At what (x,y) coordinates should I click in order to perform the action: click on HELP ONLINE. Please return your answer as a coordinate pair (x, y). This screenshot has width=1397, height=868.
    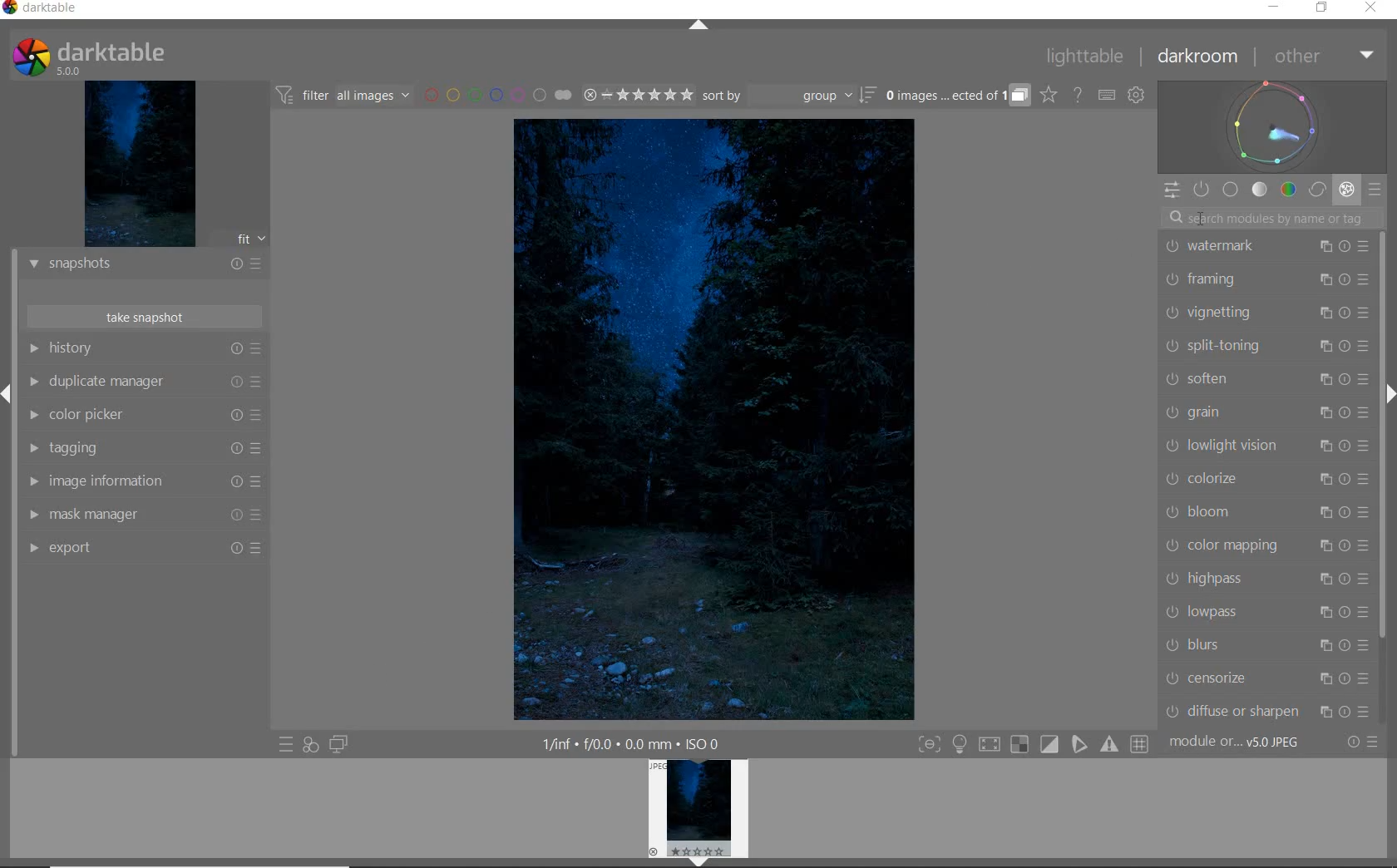
    Looking at the image, I should click on (1078, 96).